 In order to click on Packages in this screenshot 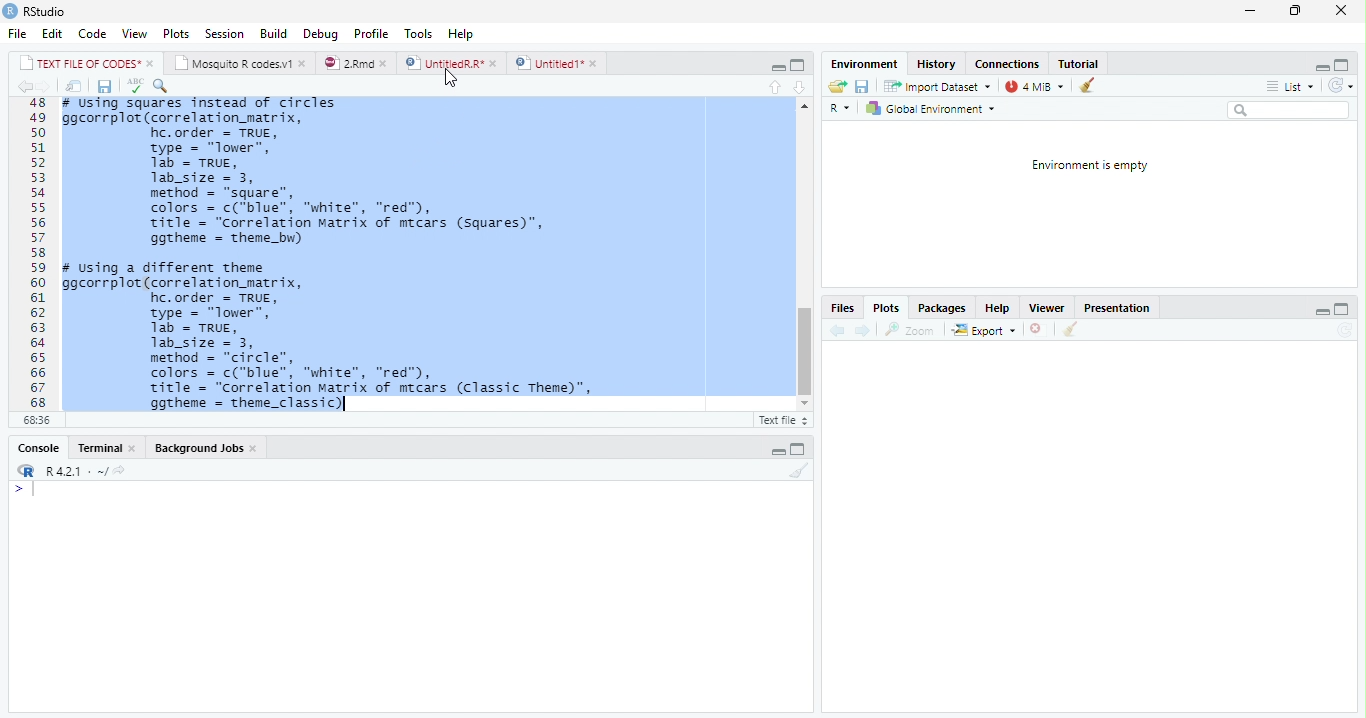, I will do `click(939, 309)`.